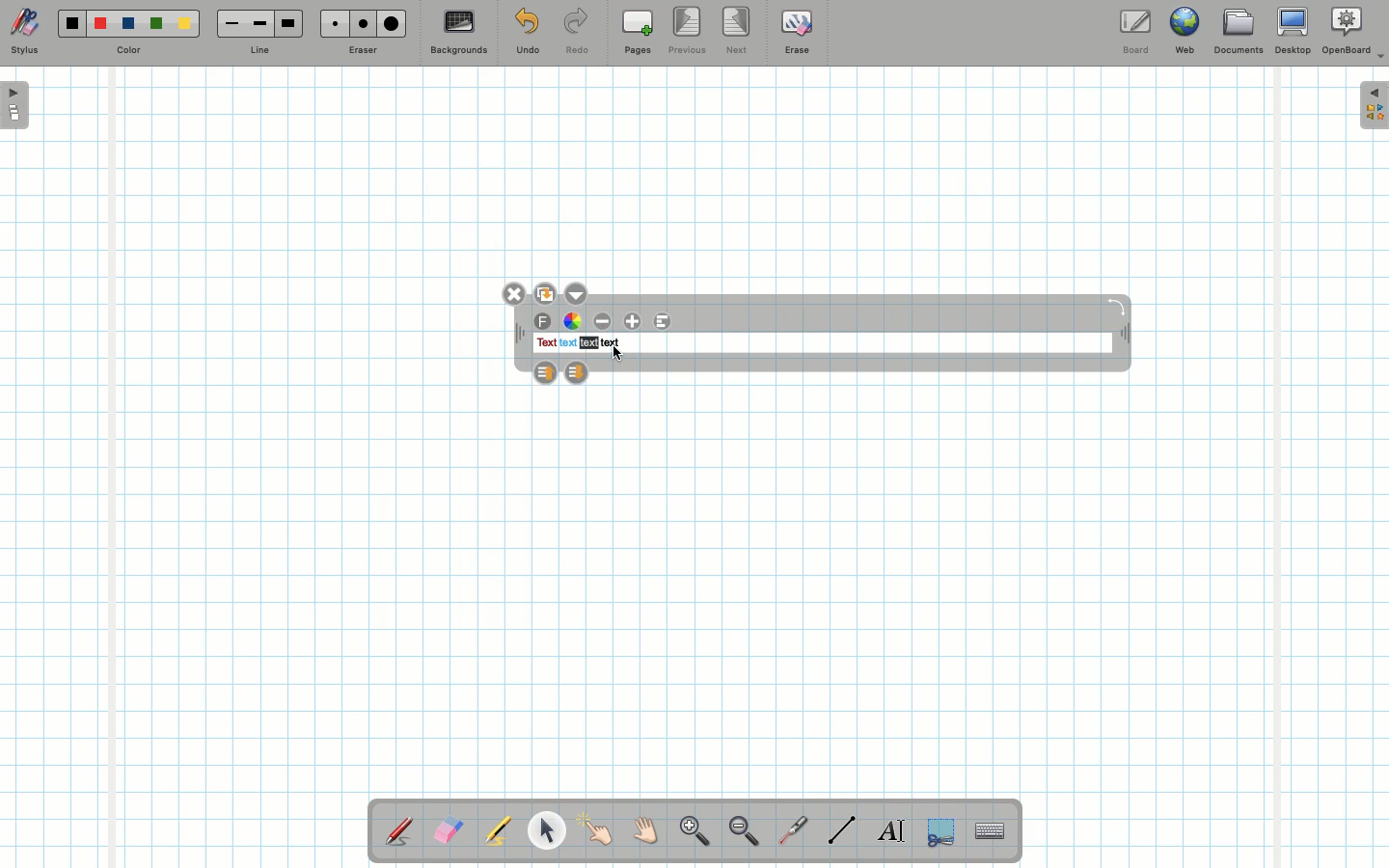 This screenshot has height=868, width=1389. Describe the element at coordinates (156, 25) in the screenshot. I see `Green` at that location.